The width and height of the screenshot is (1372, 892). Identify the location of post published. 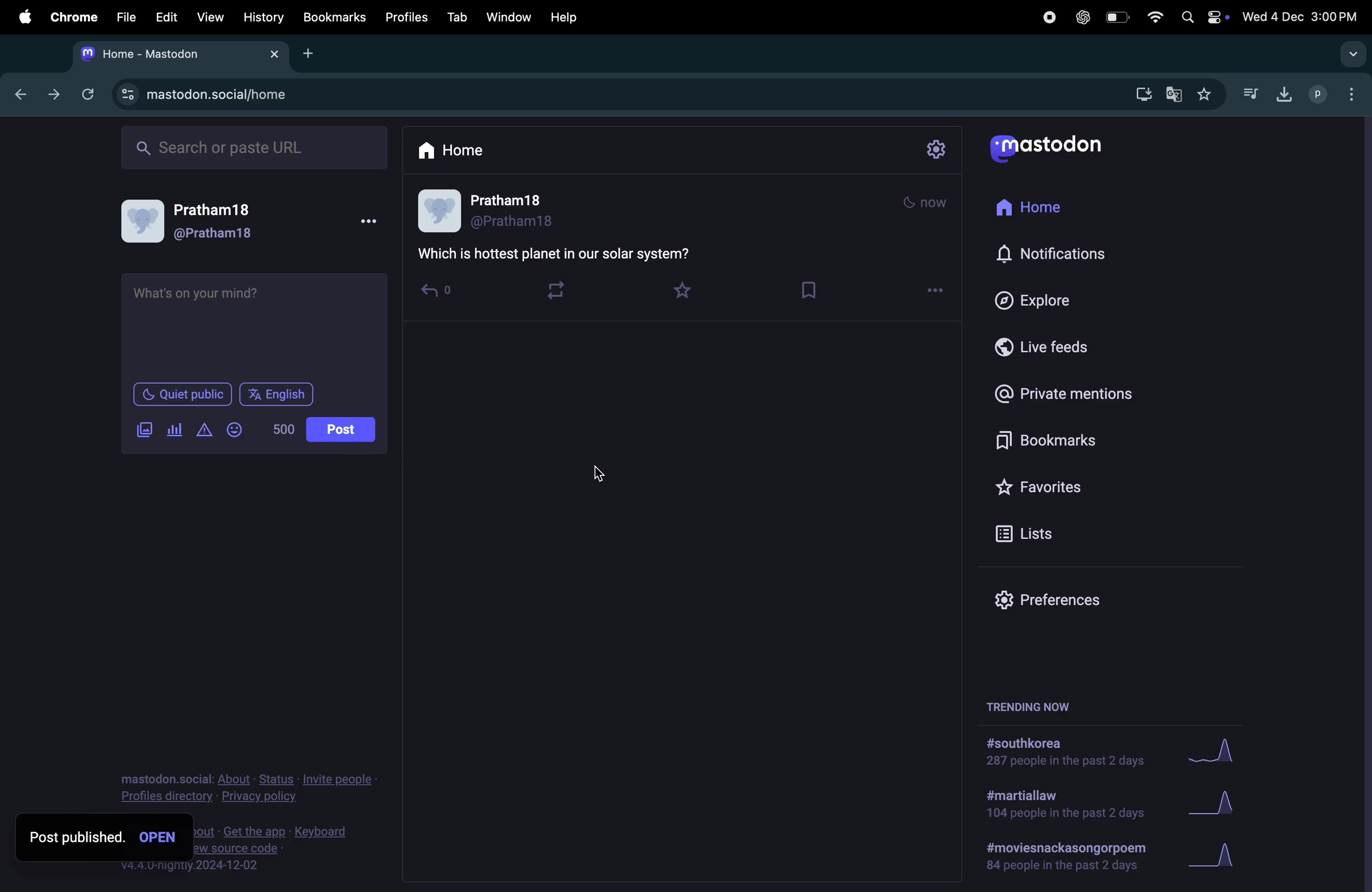
(107, 838).